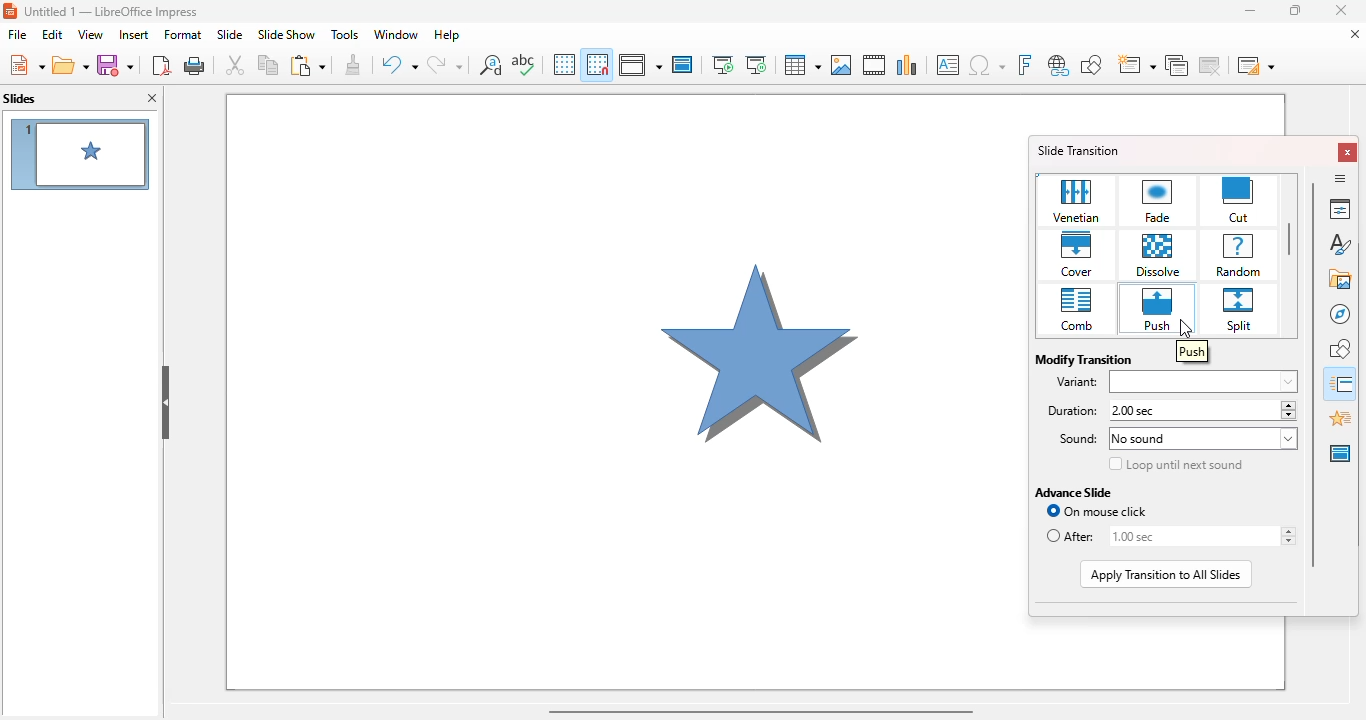 This screenshot has height=720, width=1366. Describe the element at coordinates (1067, 410) in the screenshot. I see `duration` at that location.